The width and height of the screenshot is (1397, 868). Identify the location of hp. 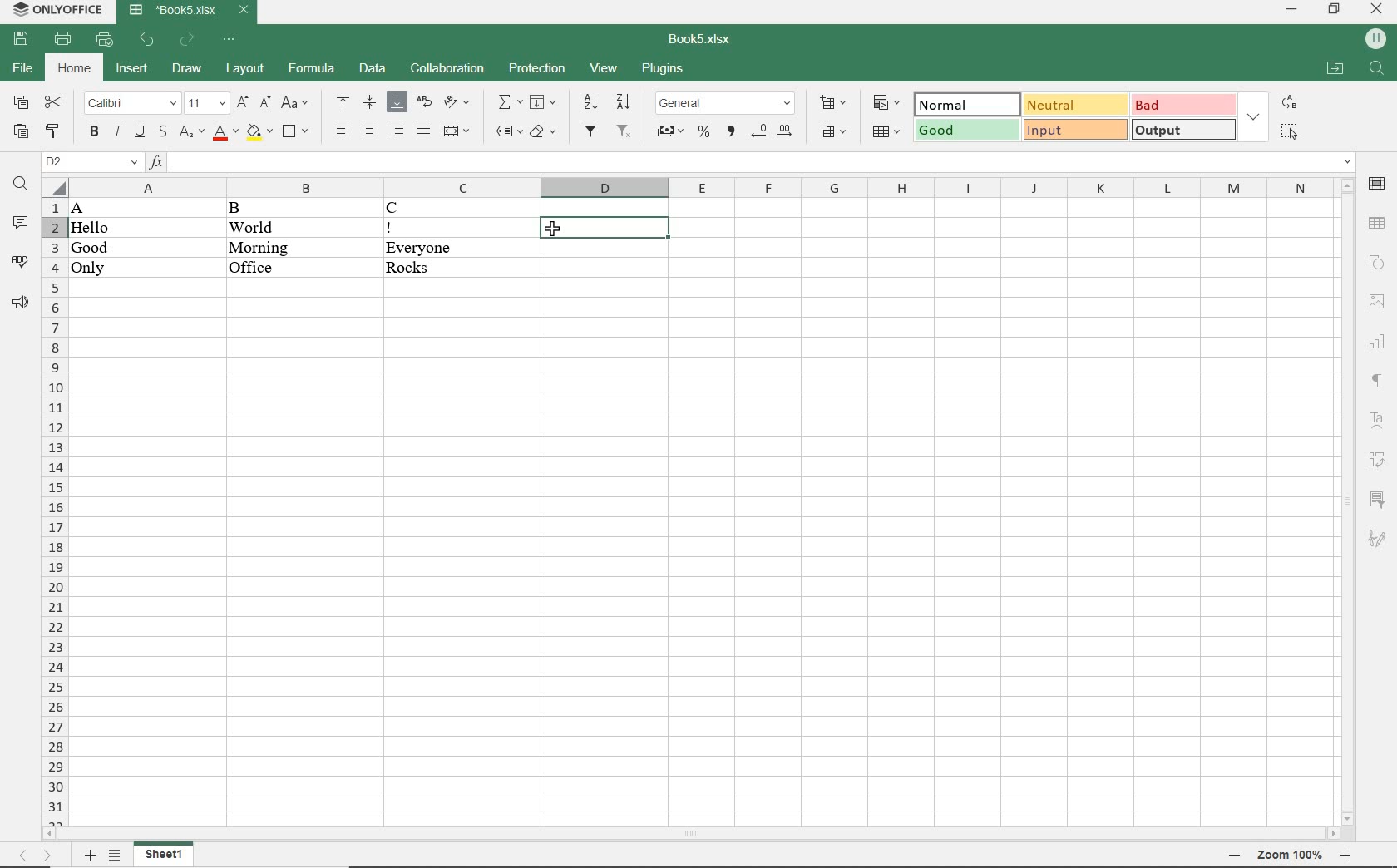
(1375, 38).